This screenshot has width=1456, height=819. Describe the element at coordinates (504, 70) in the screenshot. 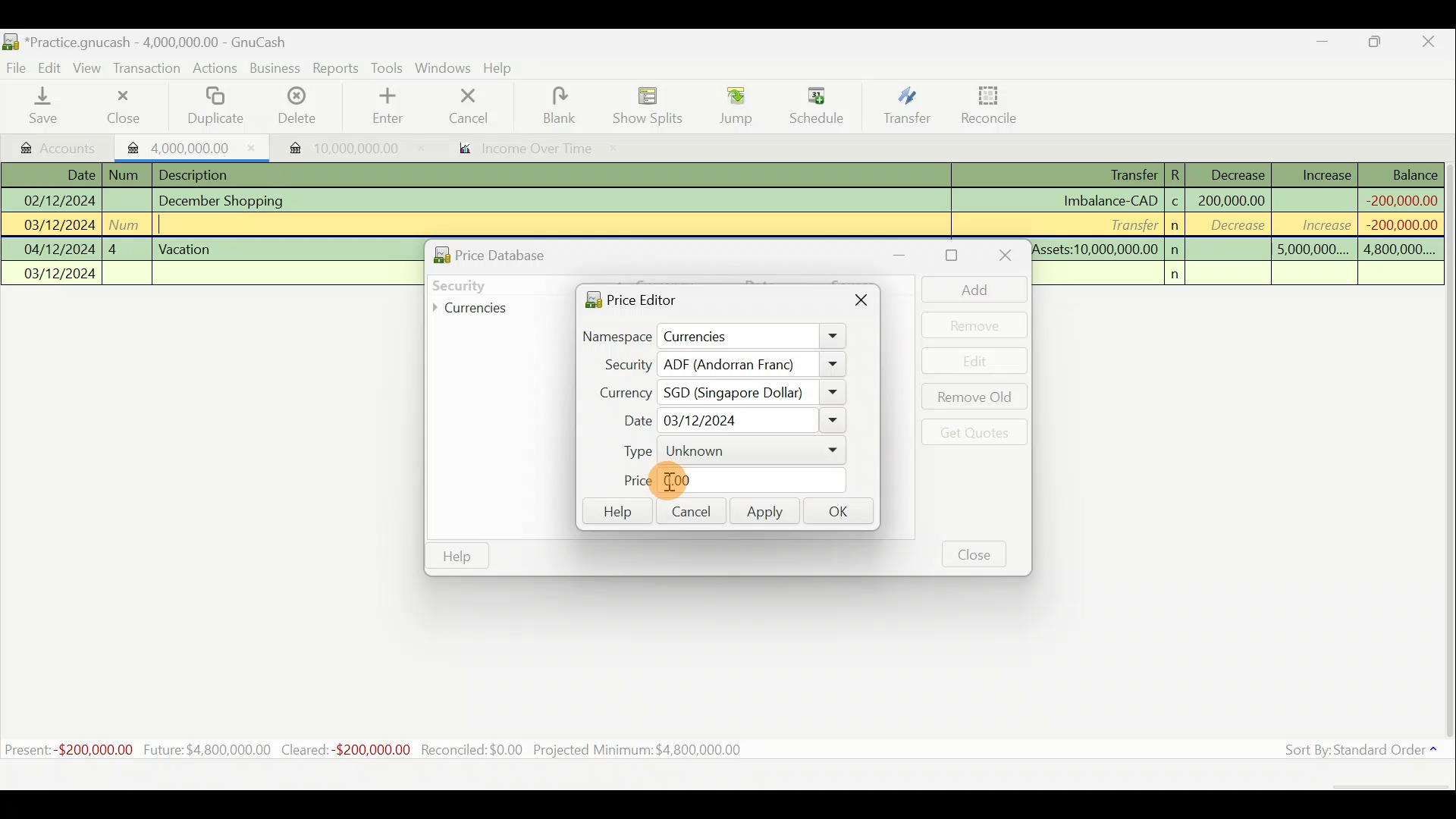

I see `Help` at that location.